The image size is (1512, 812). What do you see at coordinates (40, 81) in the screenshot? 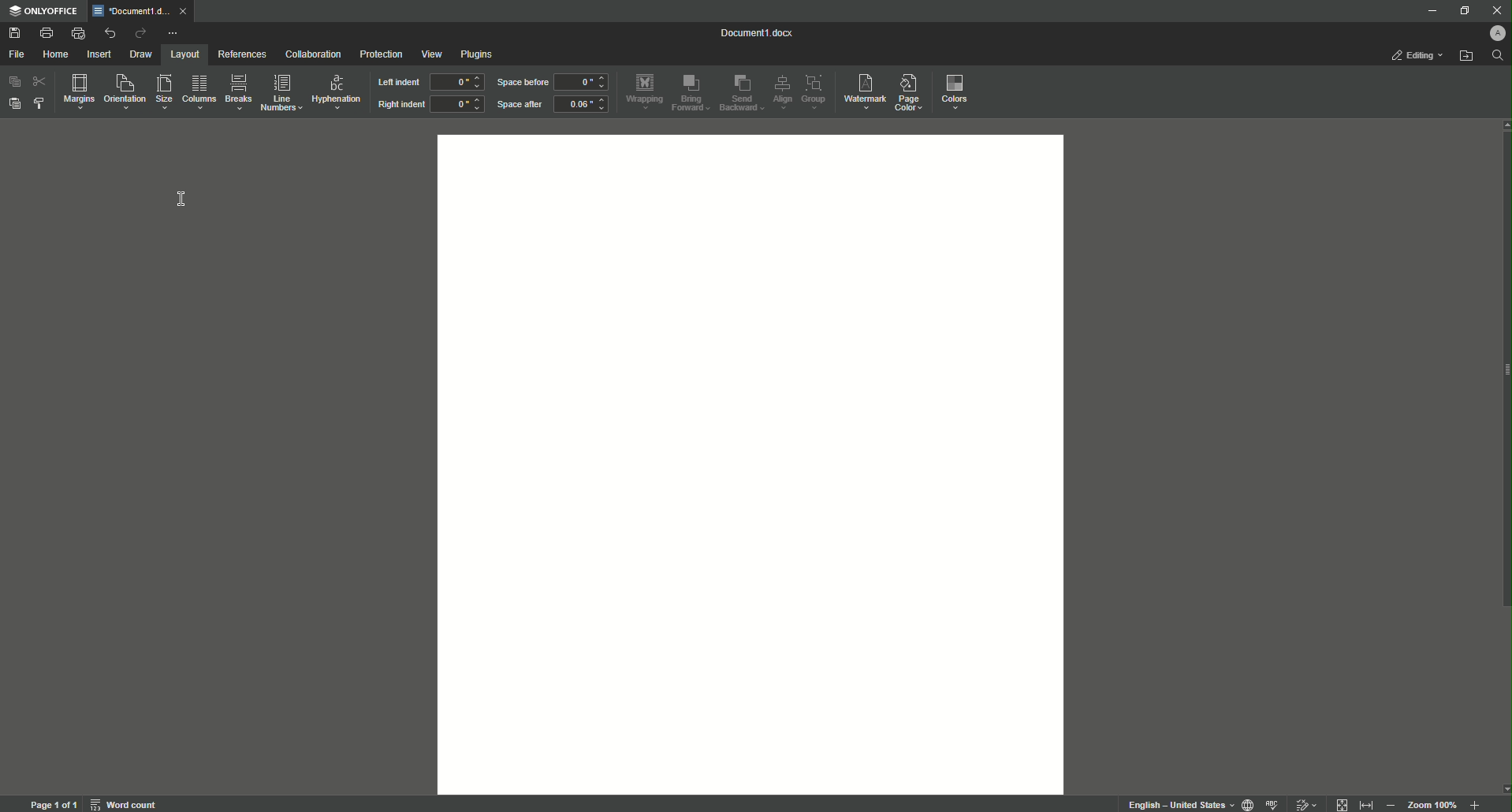
I see `Cut` at bounding box center [40, 81].